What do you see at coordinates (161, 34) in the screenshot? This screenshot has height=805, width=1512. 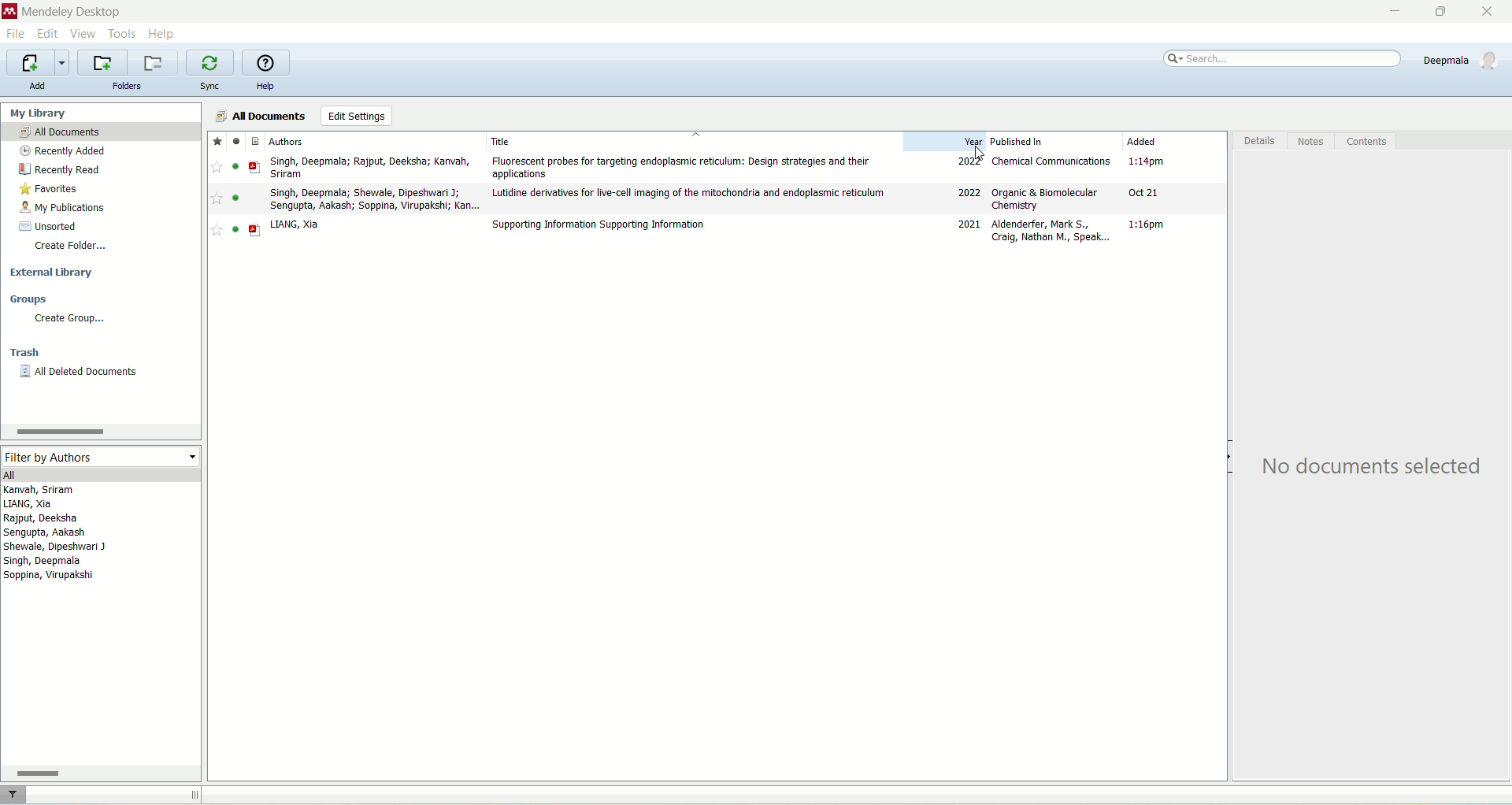 I see `help` at bounding box center [161, 34].